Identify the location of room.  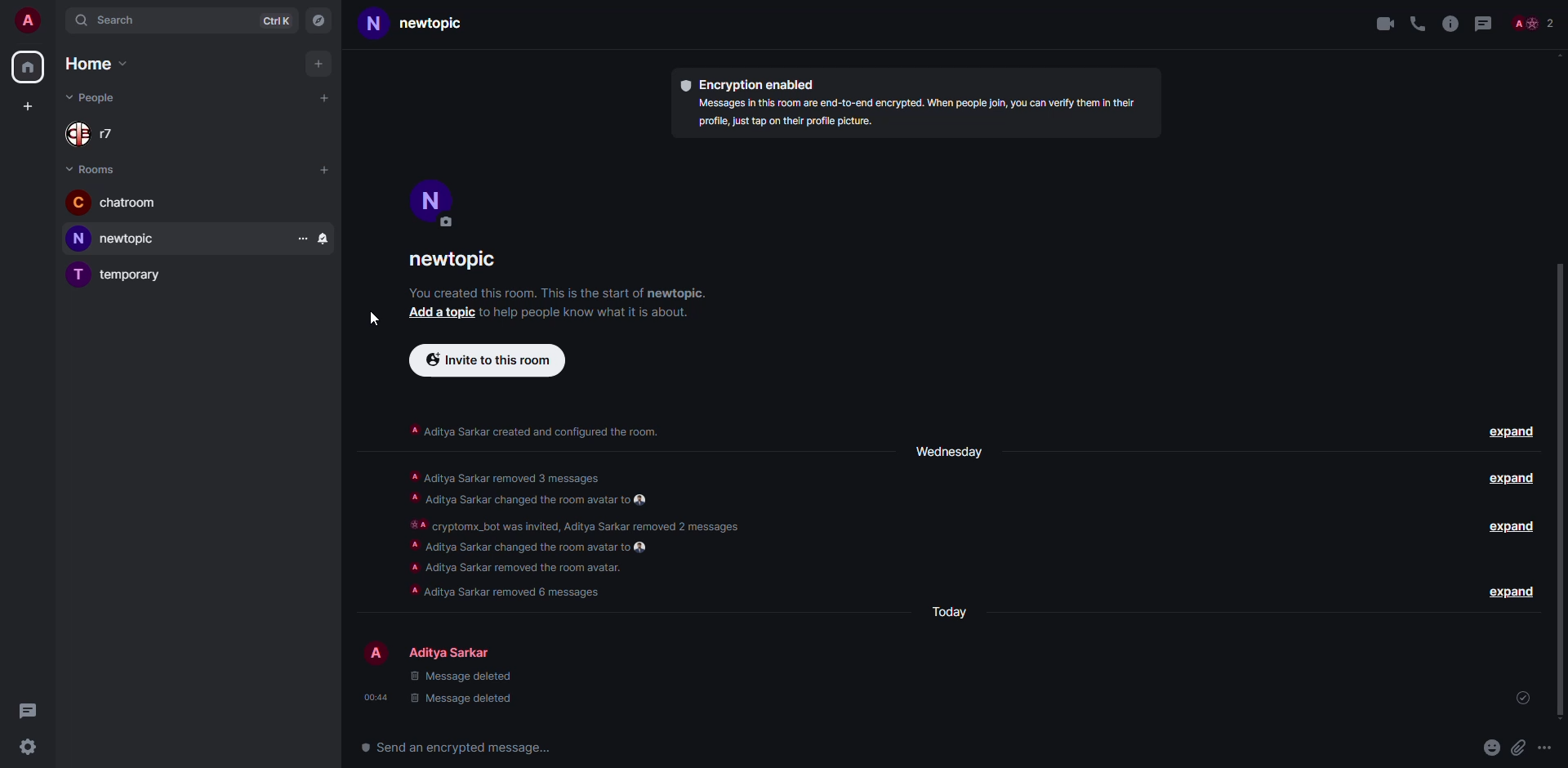
(116, 273).